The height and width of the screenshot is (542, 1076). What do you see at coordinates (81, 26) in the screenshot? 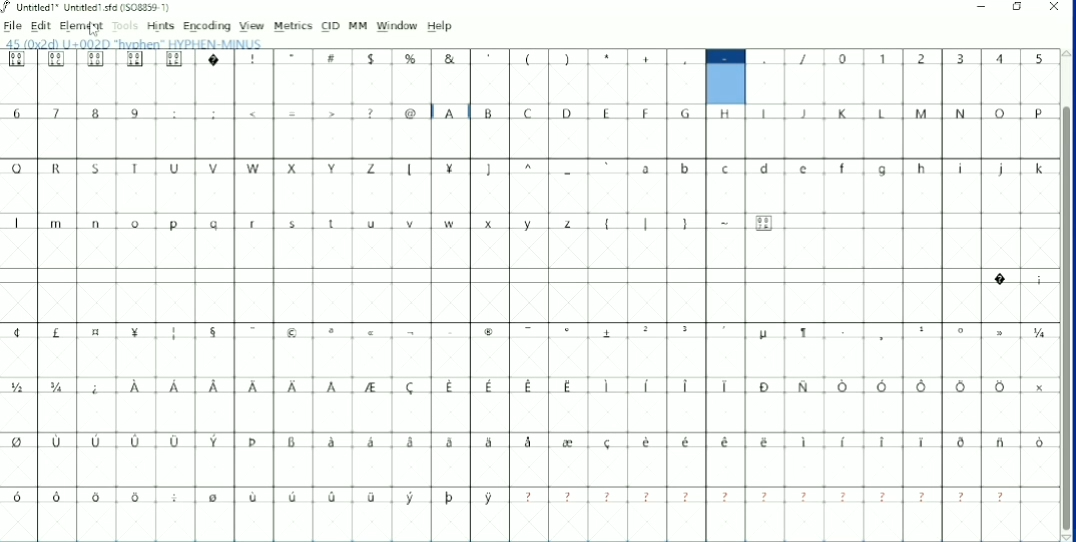
I see `Element` at bounding box center [81, 26].